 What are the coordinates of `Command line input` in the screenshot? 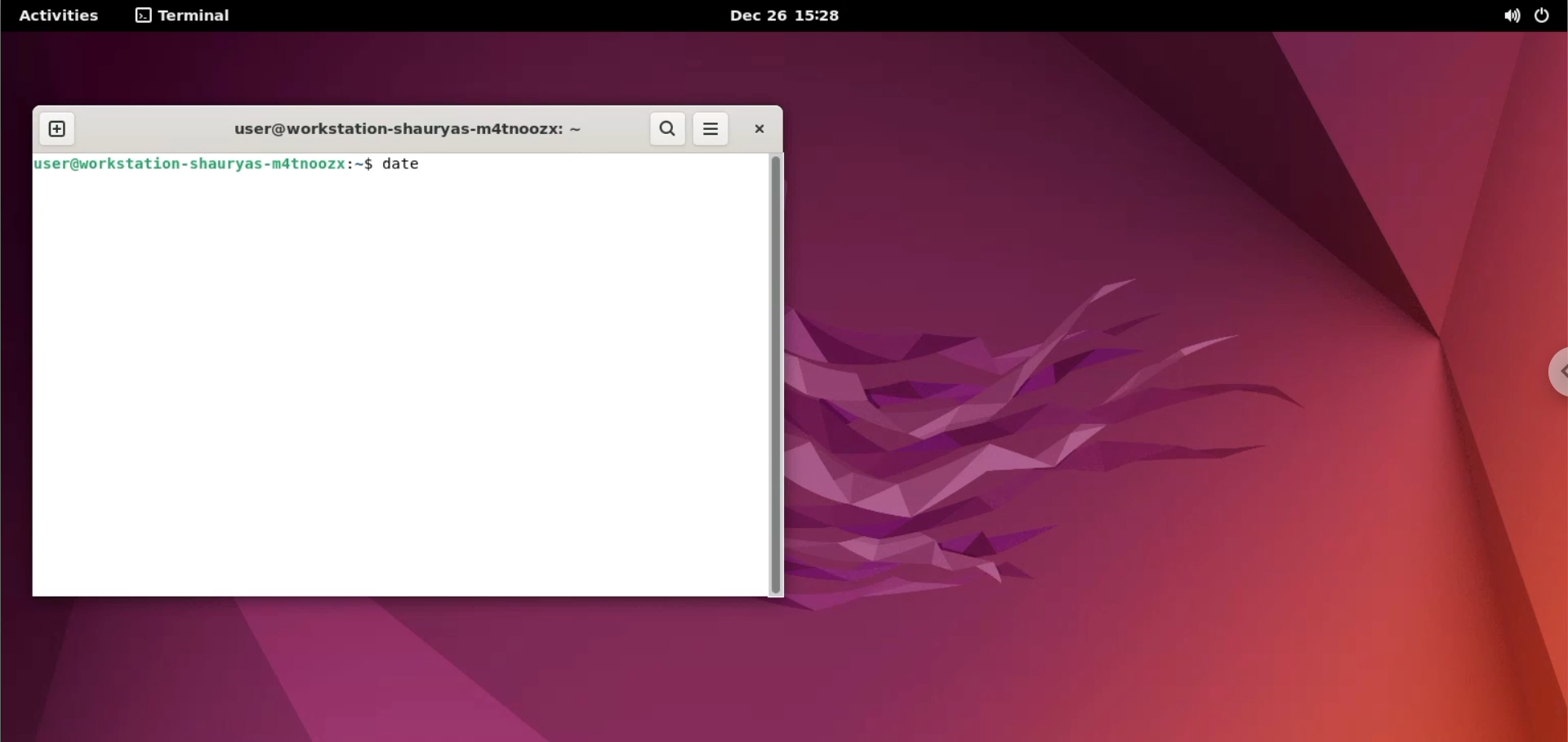 It's located at (395, 388).